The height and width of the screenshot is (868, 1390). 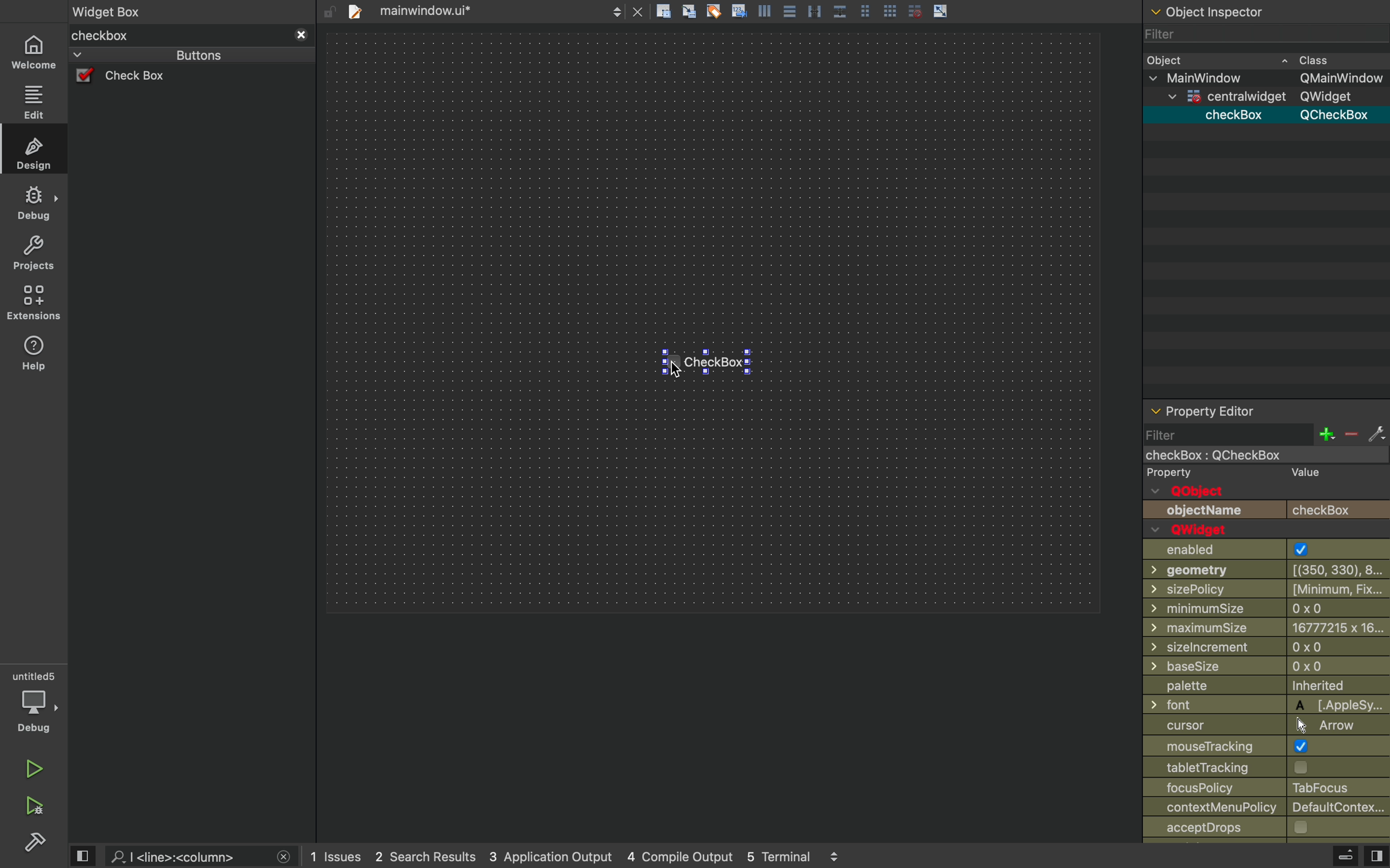 I want to click on mainwindow, so click(x=1266, y=78).